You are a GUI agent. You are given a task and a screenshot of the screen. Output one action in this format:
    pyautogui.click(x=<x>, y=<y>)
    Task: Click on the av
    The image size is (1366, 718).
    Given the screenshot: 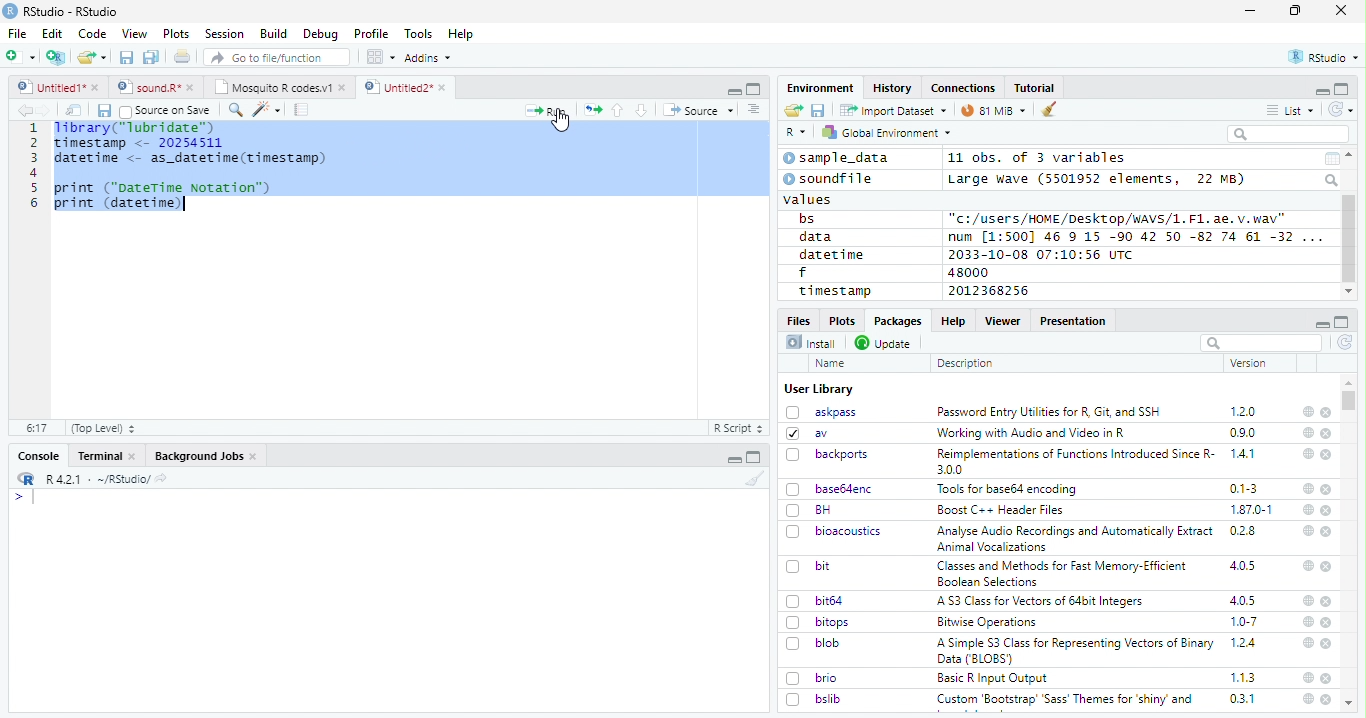 What is the action you would take?
    pyautogui.click(x=807, y=432)
    